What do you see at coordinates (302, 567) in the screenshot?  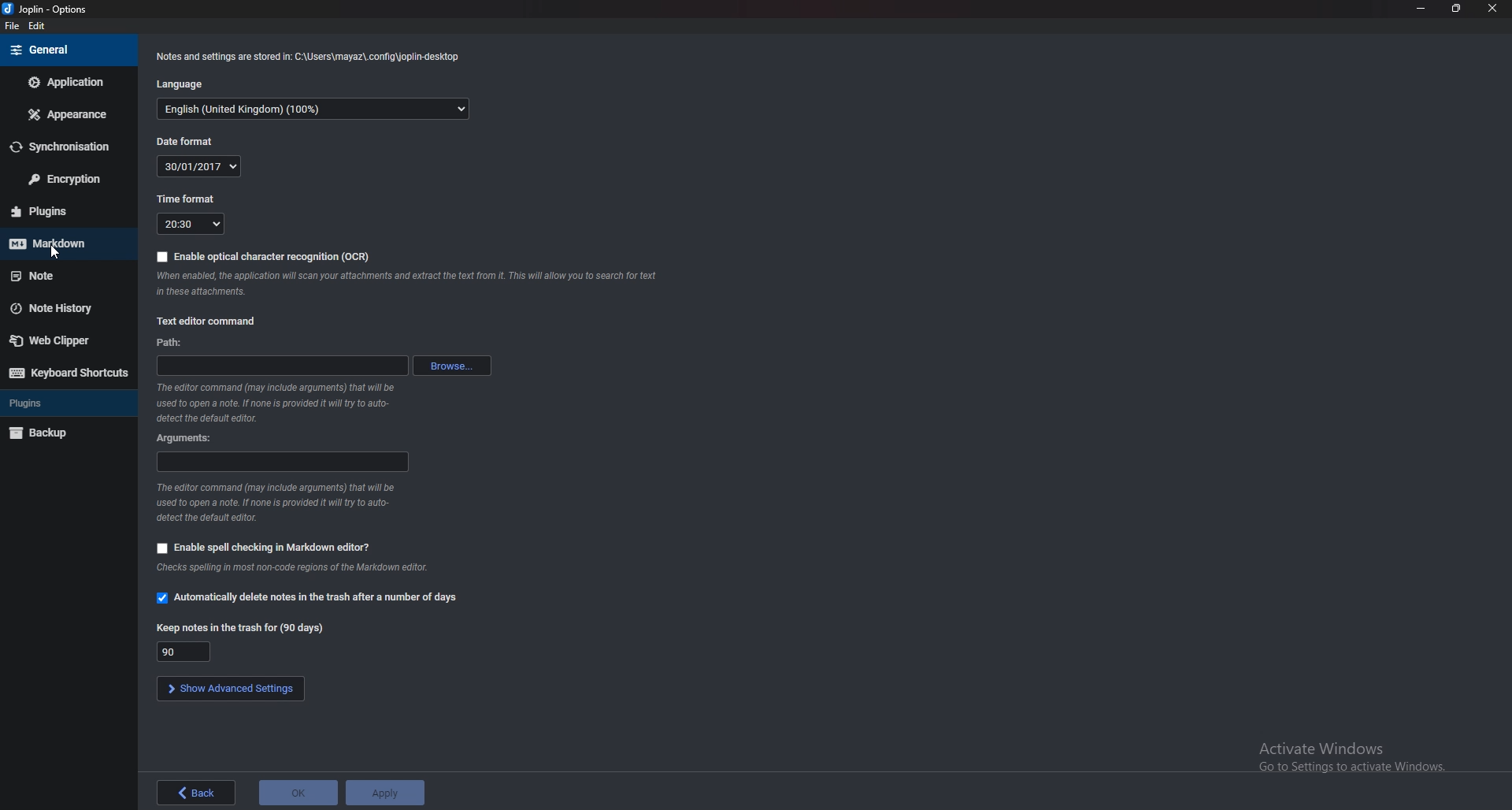 I see `Info` at bounding box center [302, 567].